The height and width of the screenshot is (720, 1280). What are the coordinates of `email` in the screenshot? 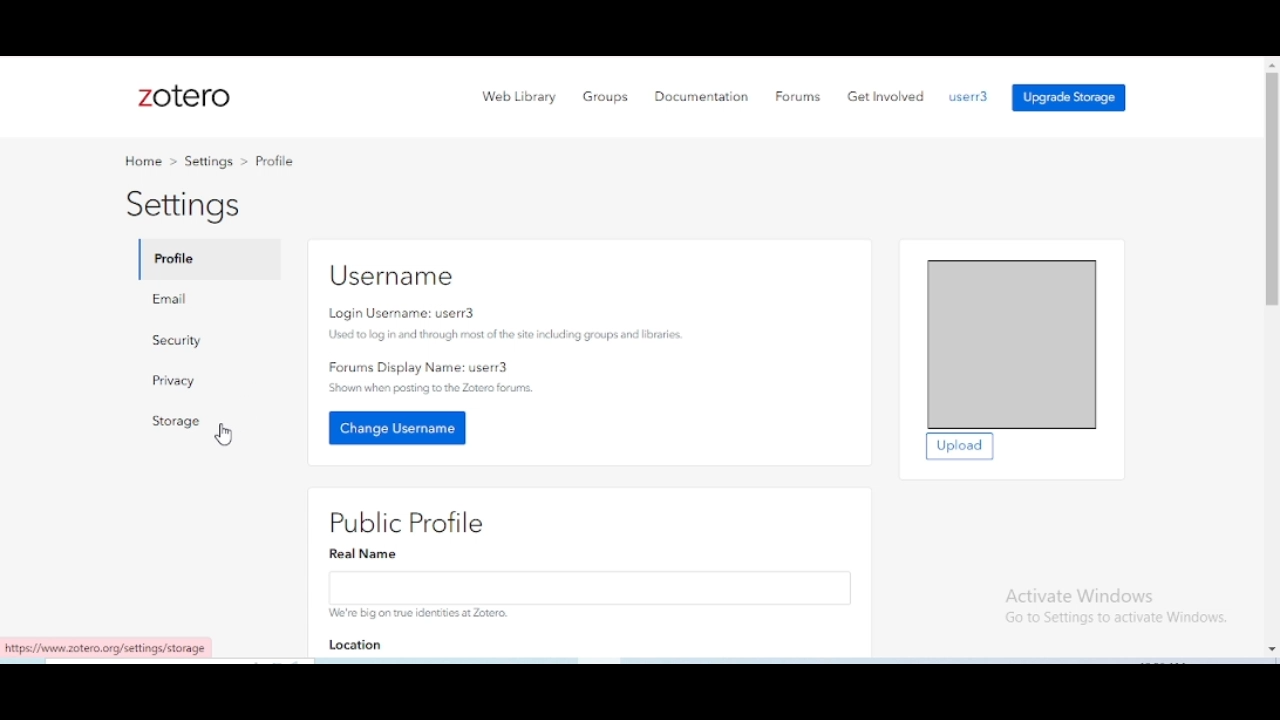 It's located at (170, 299).